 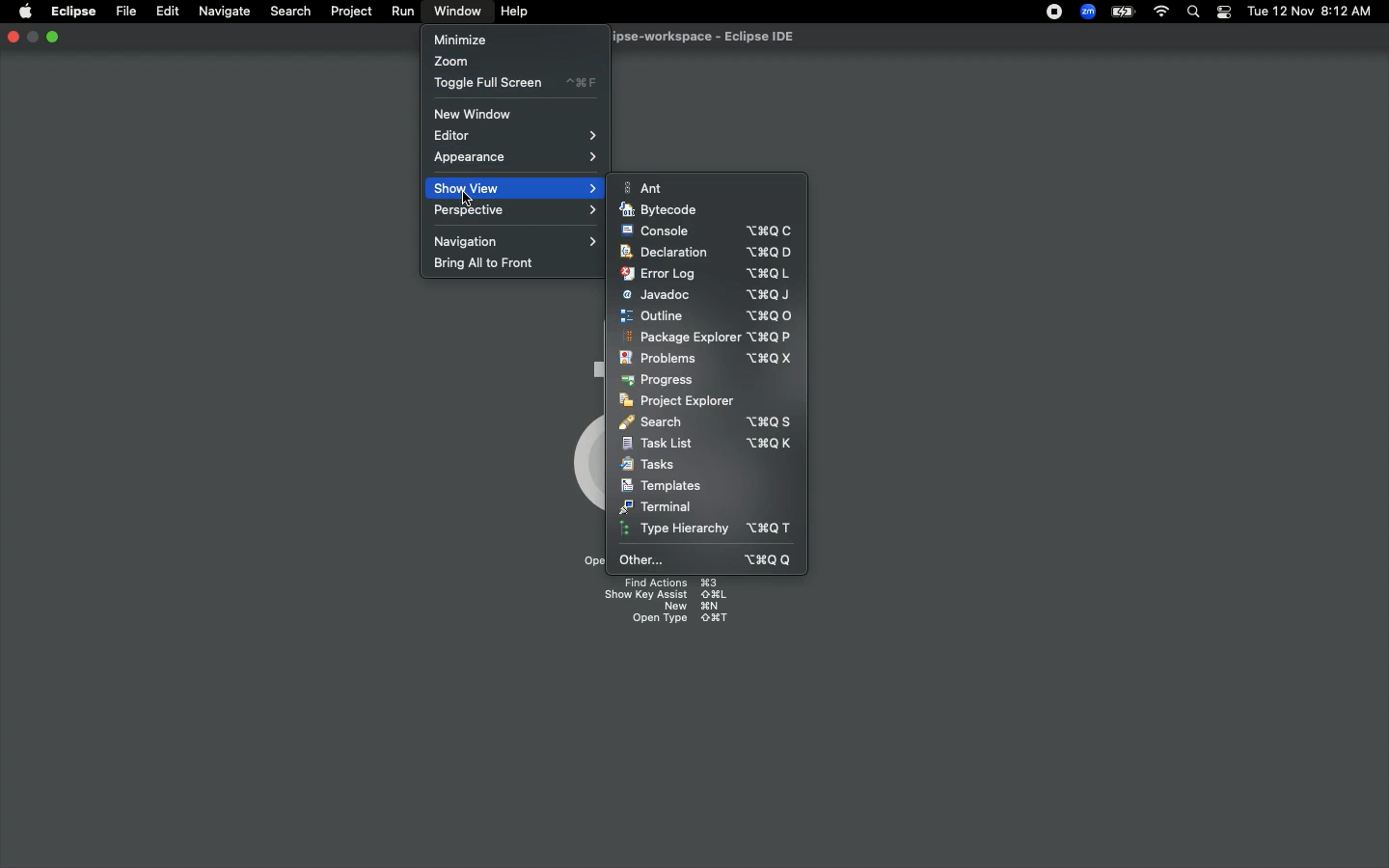 What do you see at coordinates (165, 10) in the screenshot?
I see `Edit` at bounding box center [165, 10].